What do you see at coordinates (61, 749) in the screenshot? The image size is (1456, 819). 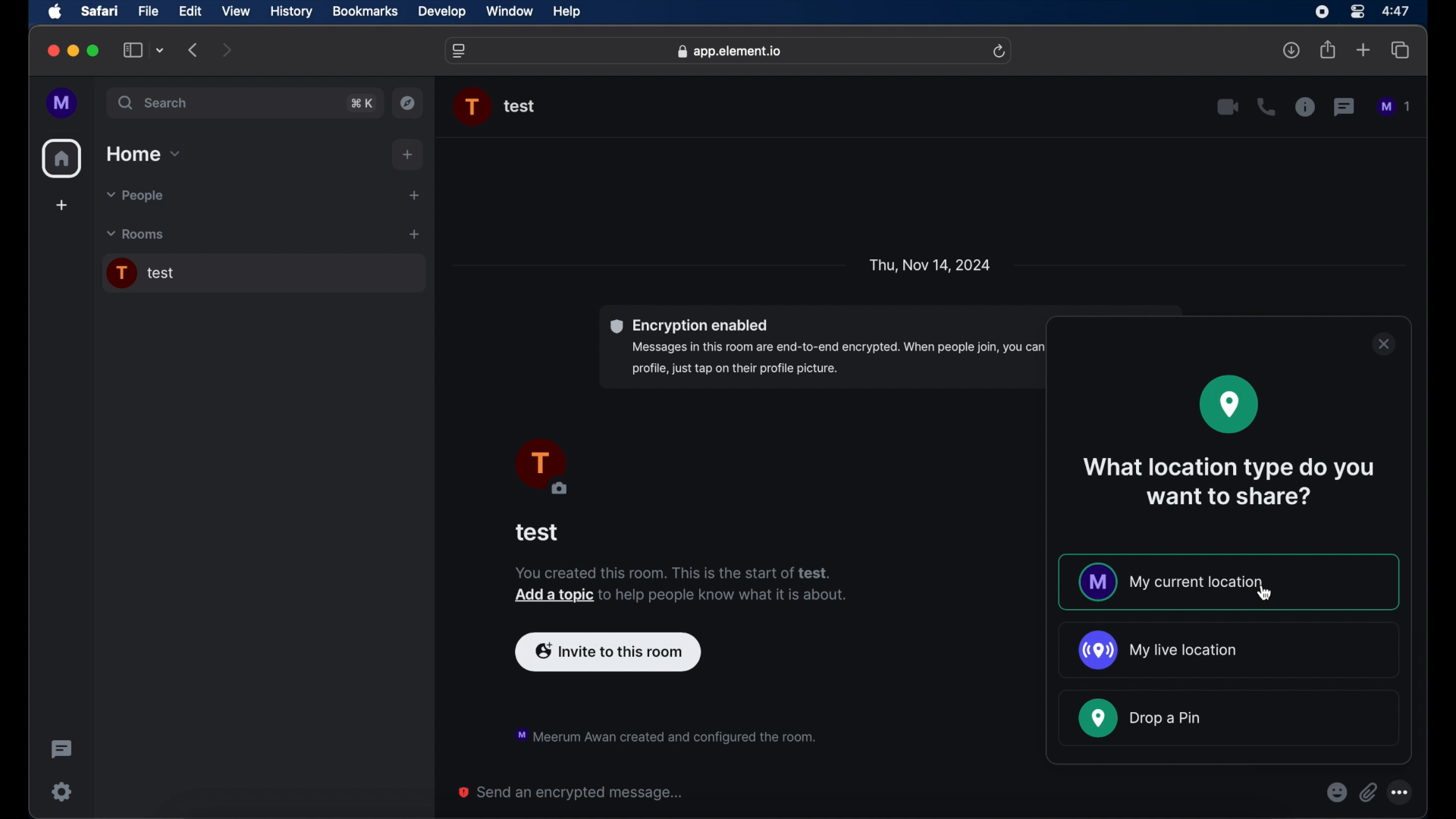 I see `threading activity` at bounding box center [61, 749].